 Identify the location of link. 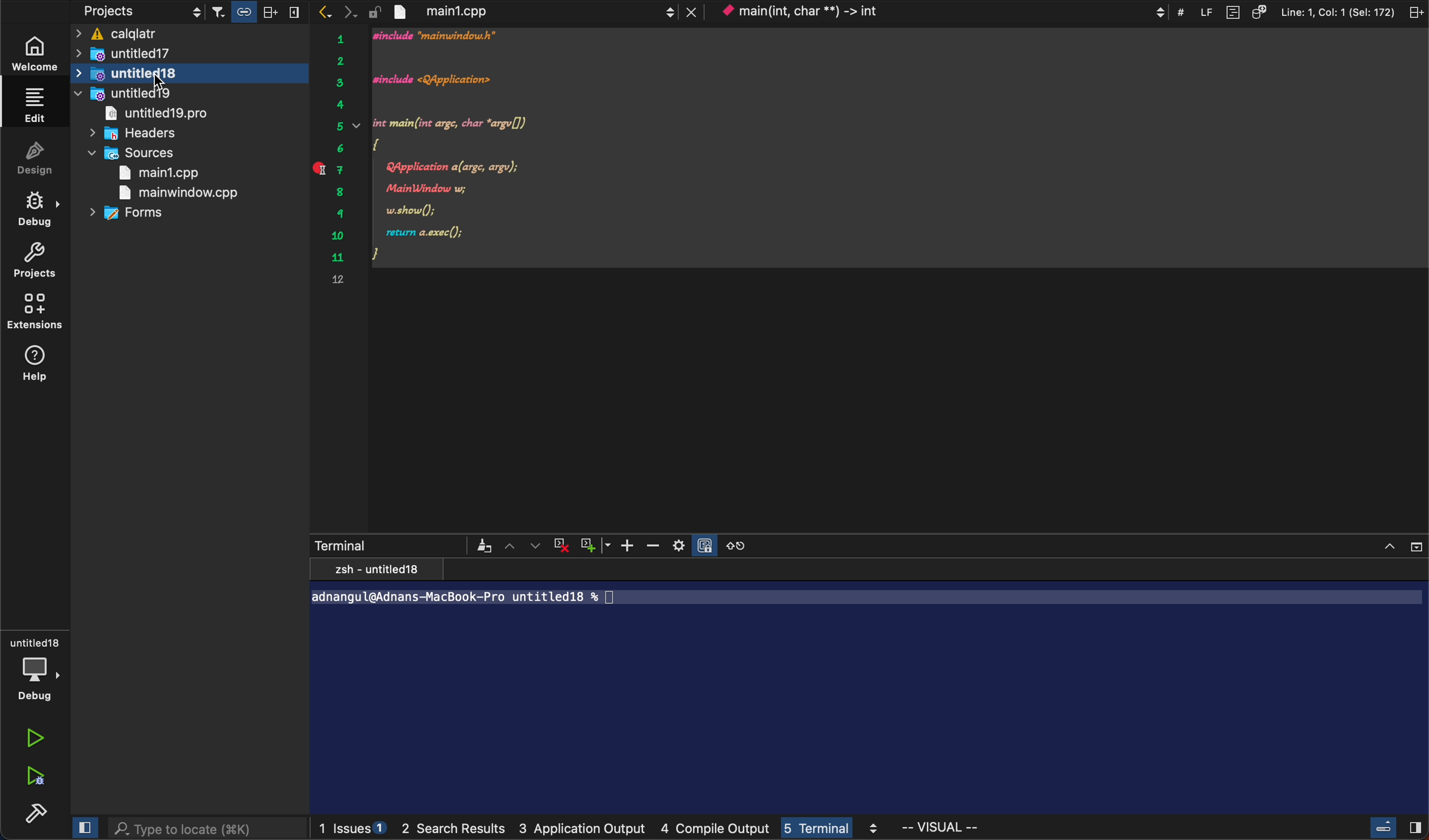
(242, 11).